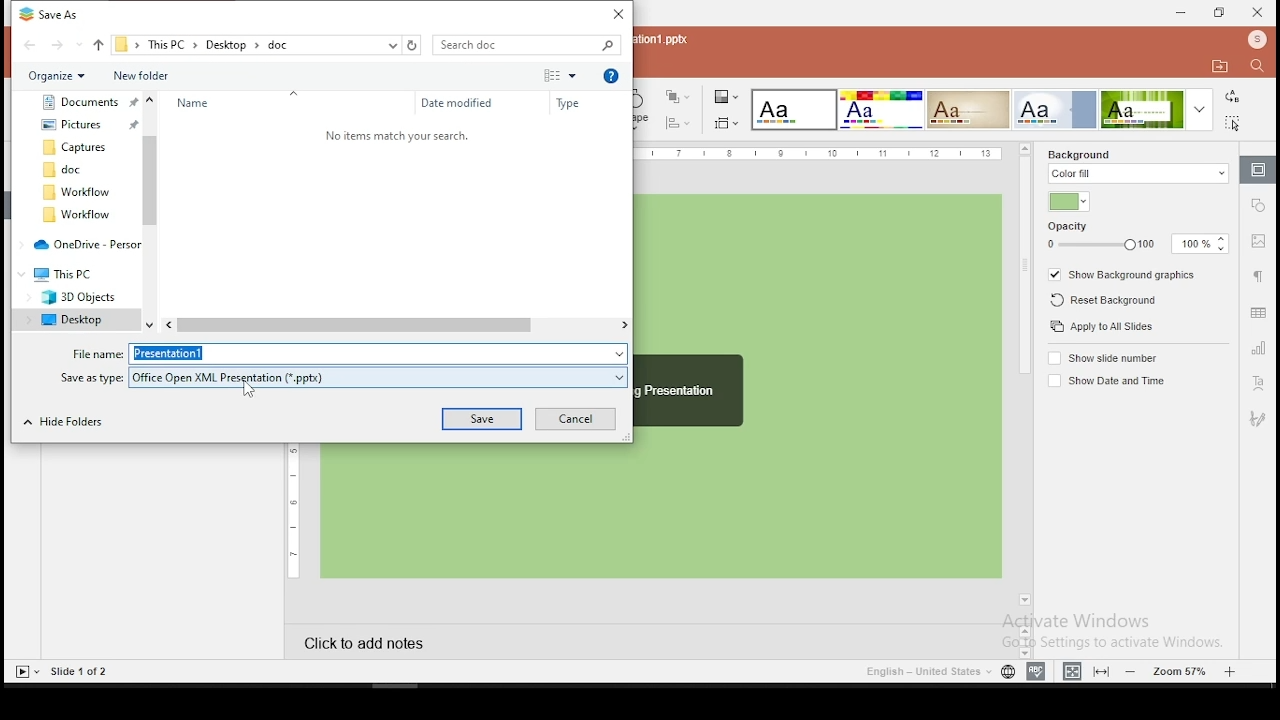 This screenshot has width=1280, height=720. What do you see at coordinates (968, 109) in the screenshot?
I see `select color theme` at bounding box center [968, 109].